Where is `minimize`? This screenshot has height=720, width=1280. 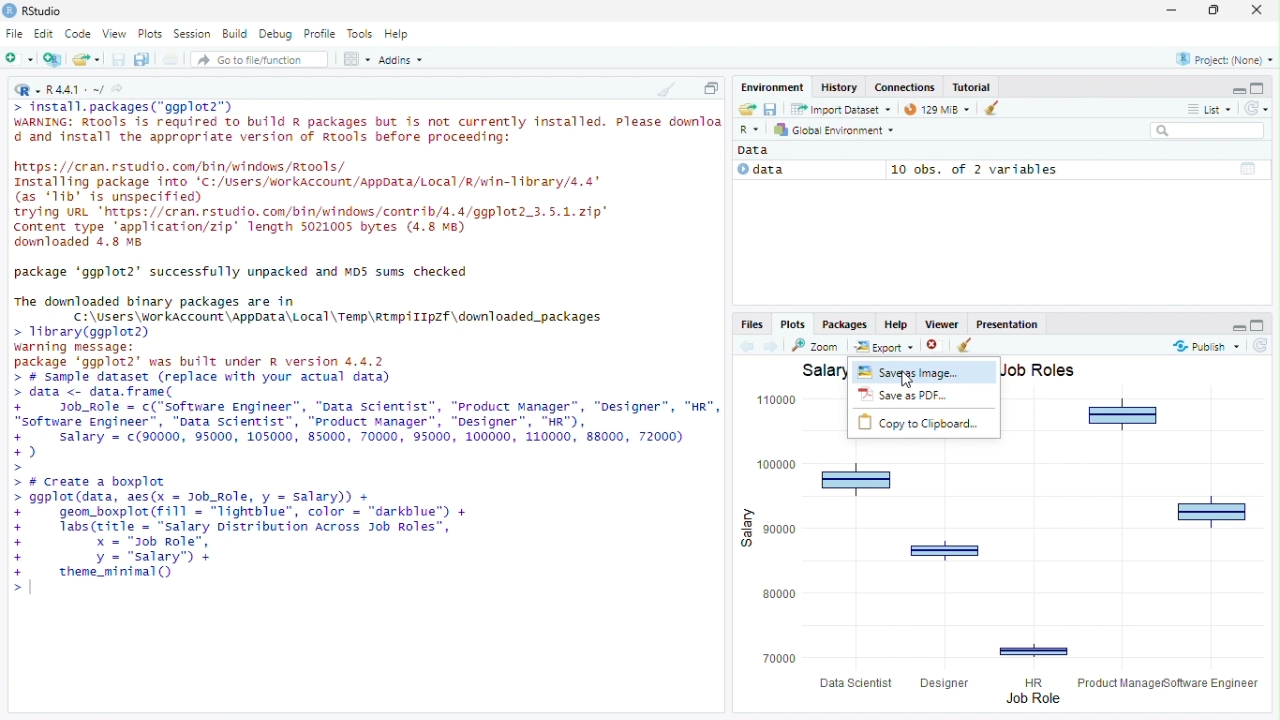
minimize is located at coordinates (1233, 326).